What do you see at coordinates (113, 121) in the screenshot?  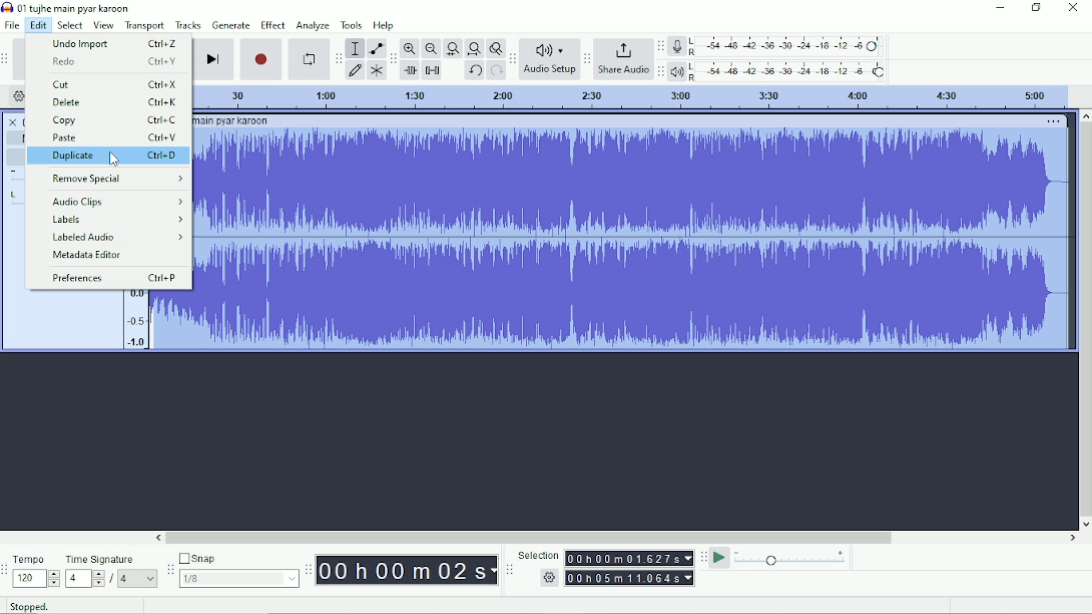 I see `Copy` at bounding box center [113, 121].